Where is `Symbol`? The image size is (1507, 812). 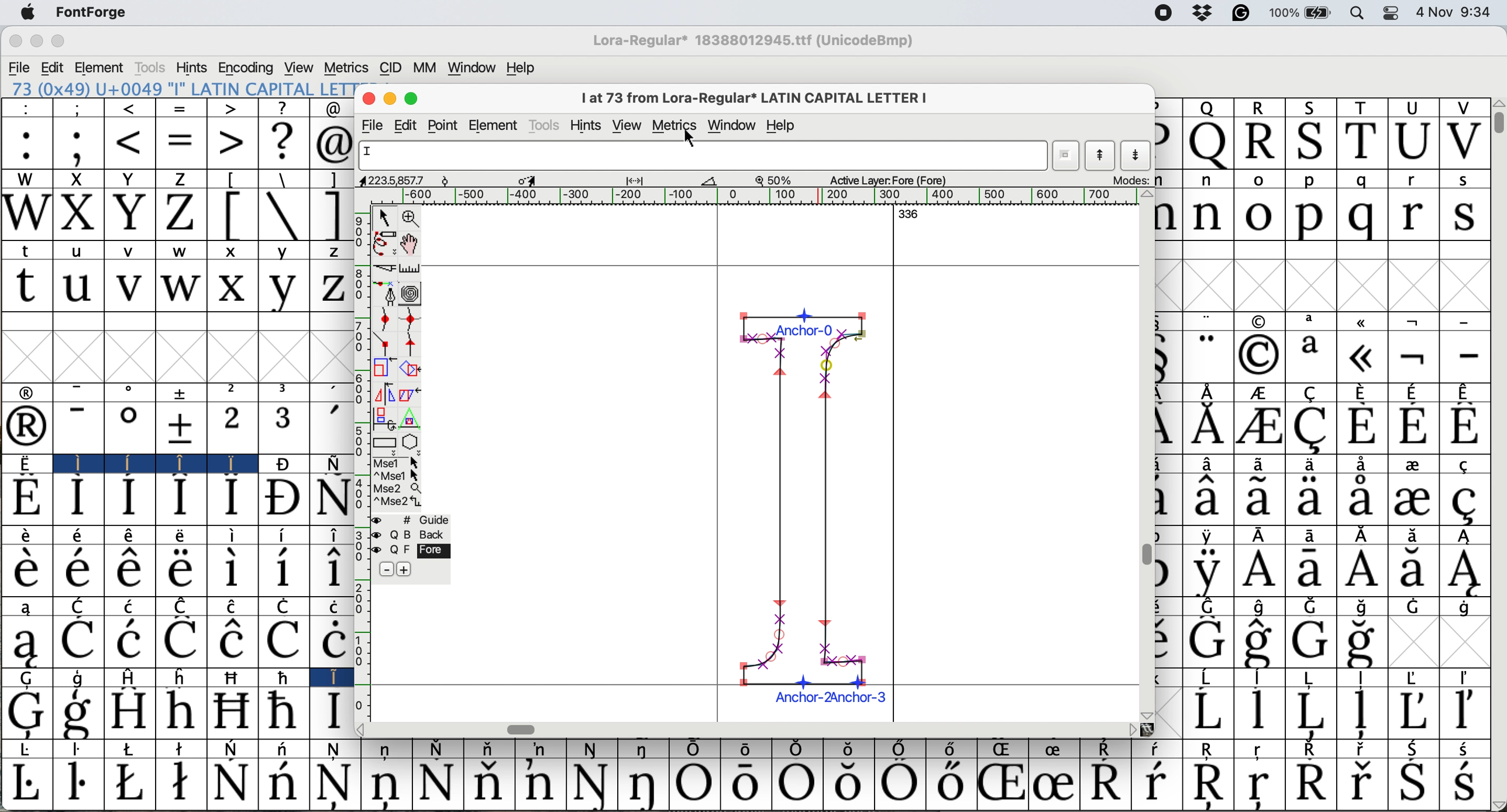
Symbol is located at coordinates (180, 712).